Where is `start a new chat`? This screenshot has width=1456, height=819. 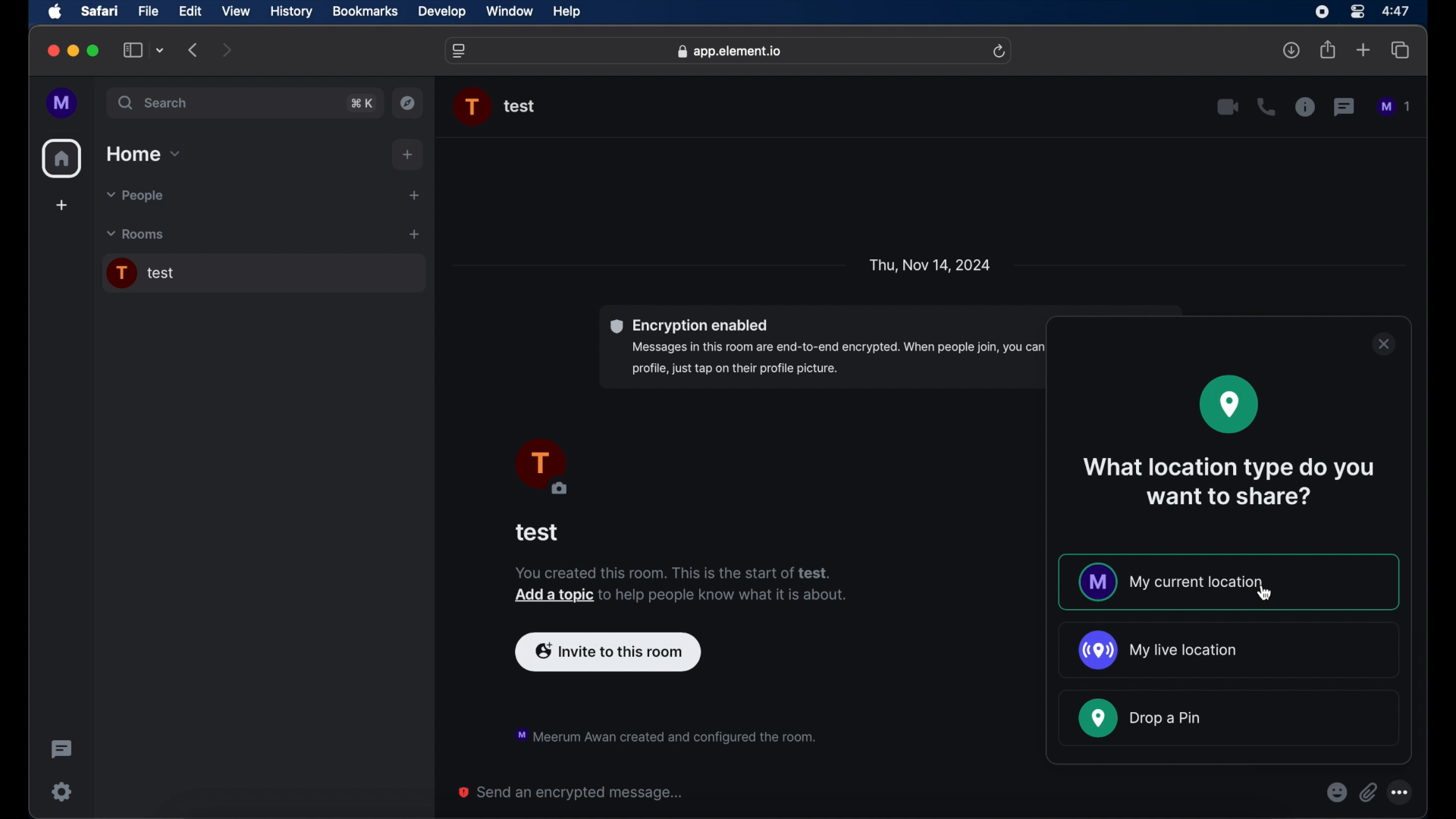 start a new chat is located at coordinates (414, 195).